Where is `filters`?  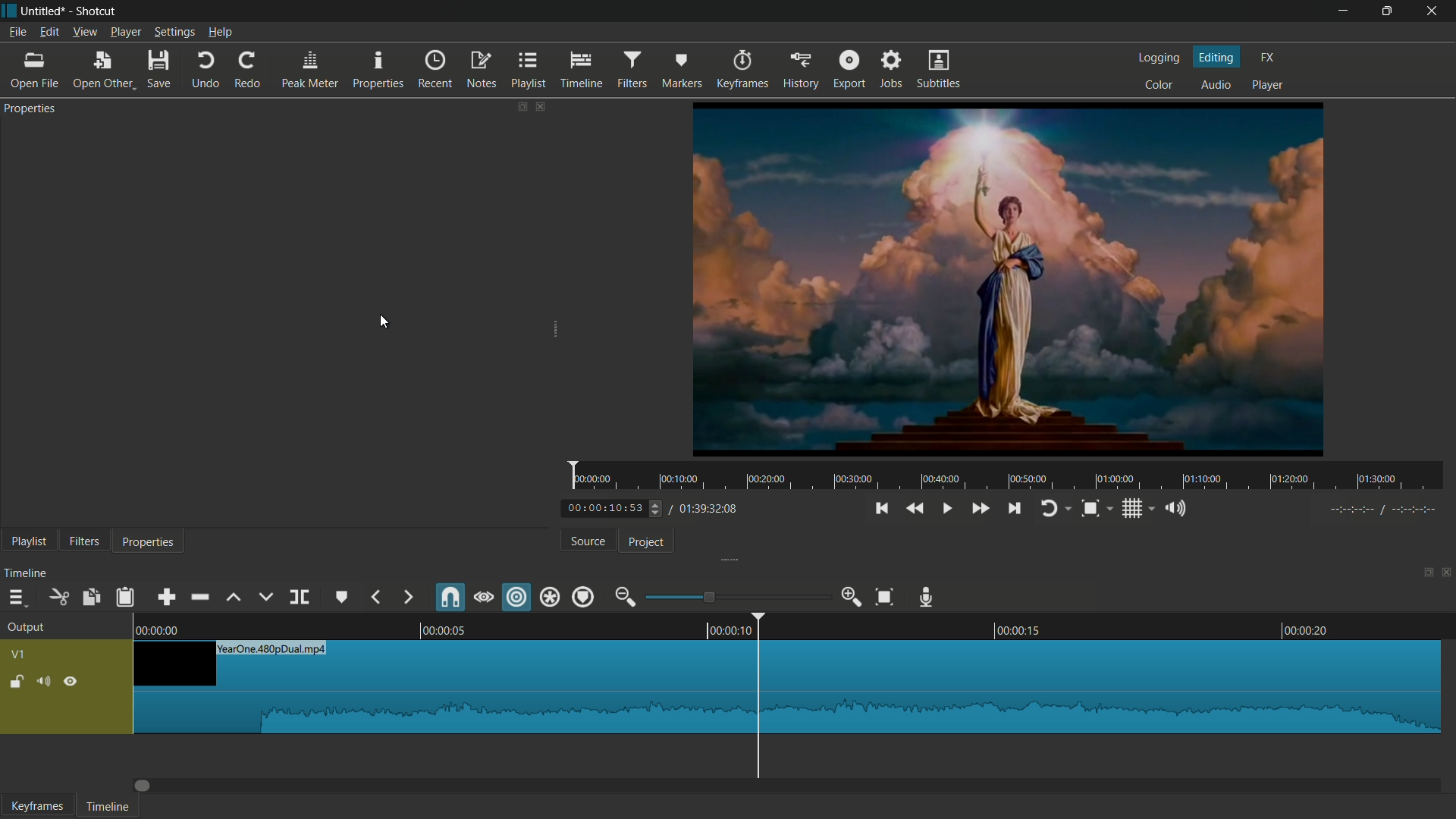 filters is located at coordinates (629, 68).